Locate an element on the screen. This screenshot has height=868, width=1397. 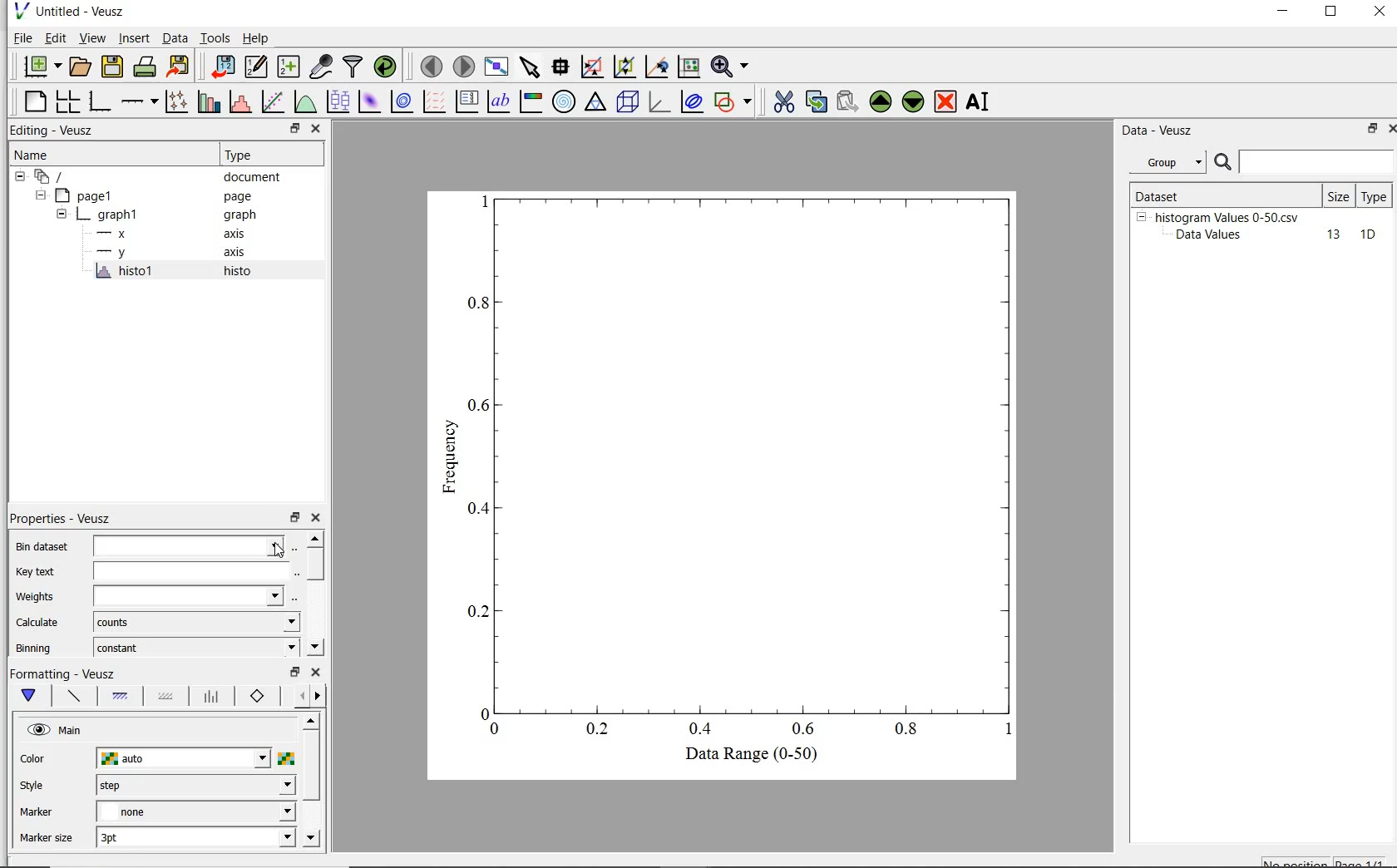
import data into veusz is located at coordinates (225, 67).